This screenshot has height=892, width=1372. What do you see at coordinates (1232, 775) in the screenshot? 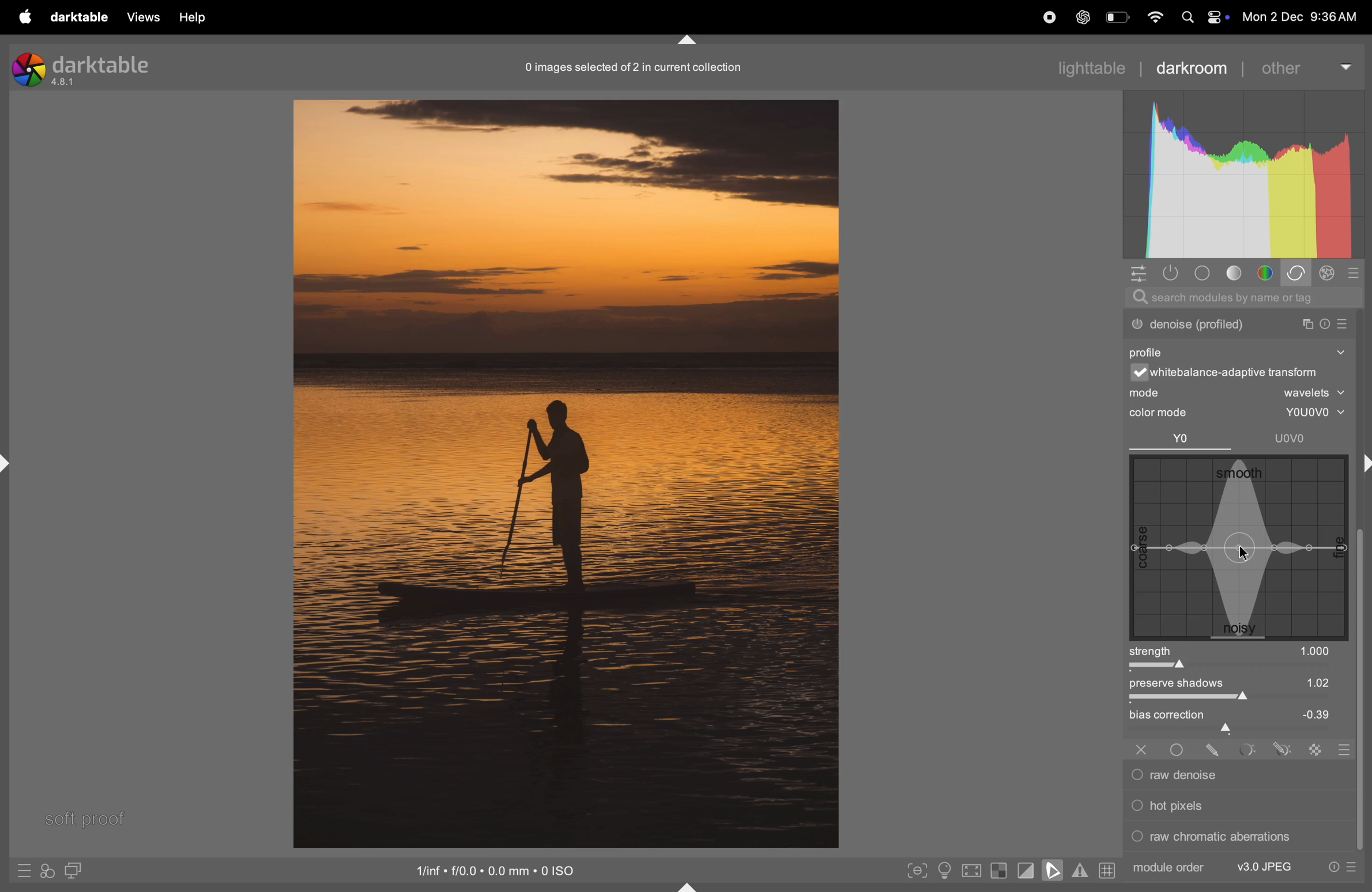
I see `raw denoise` at bounding box center [1232, 775].